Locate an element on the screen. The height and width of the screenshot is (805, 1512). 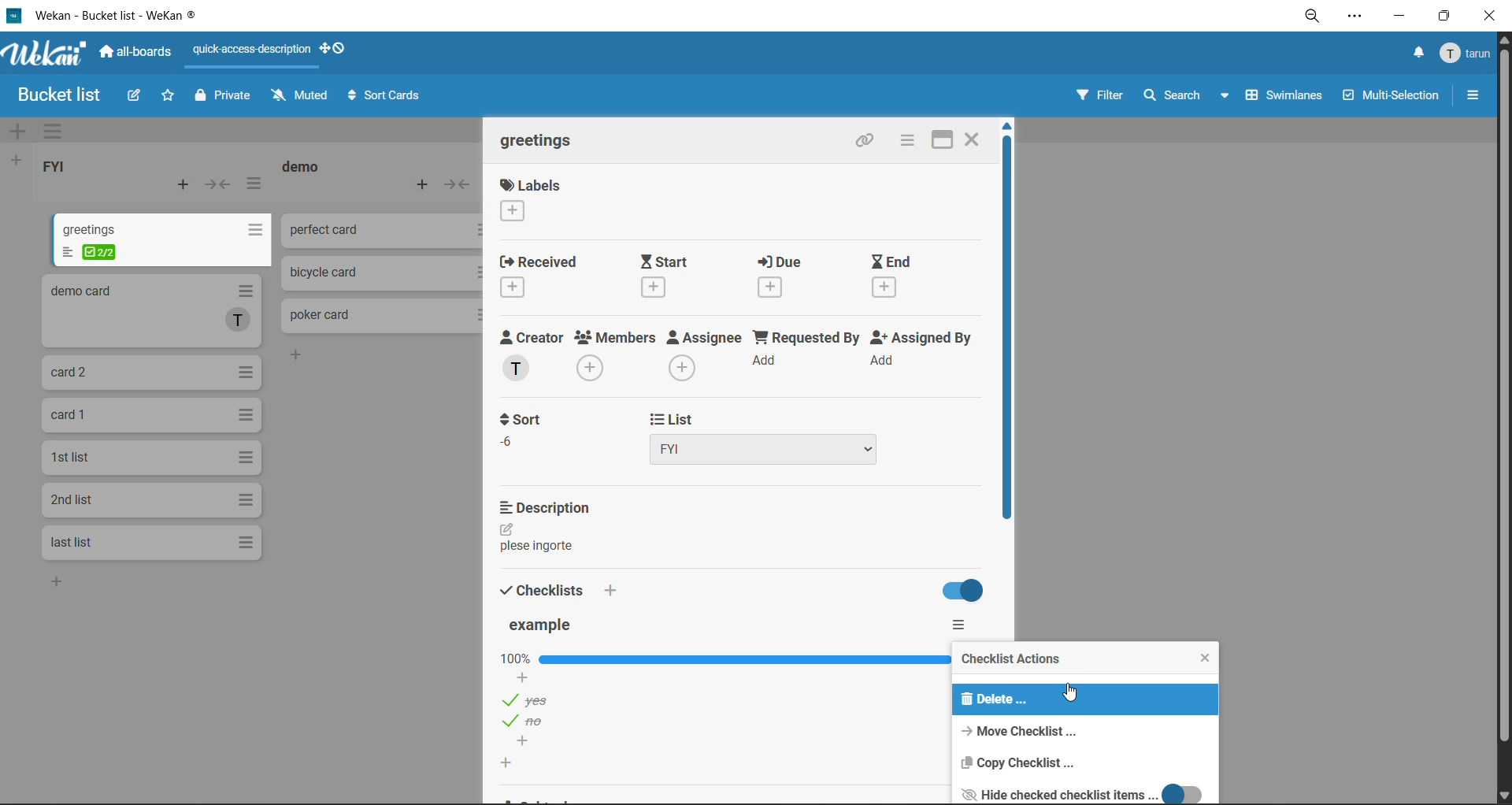
sidebar is located at coordinates (1472, 94).